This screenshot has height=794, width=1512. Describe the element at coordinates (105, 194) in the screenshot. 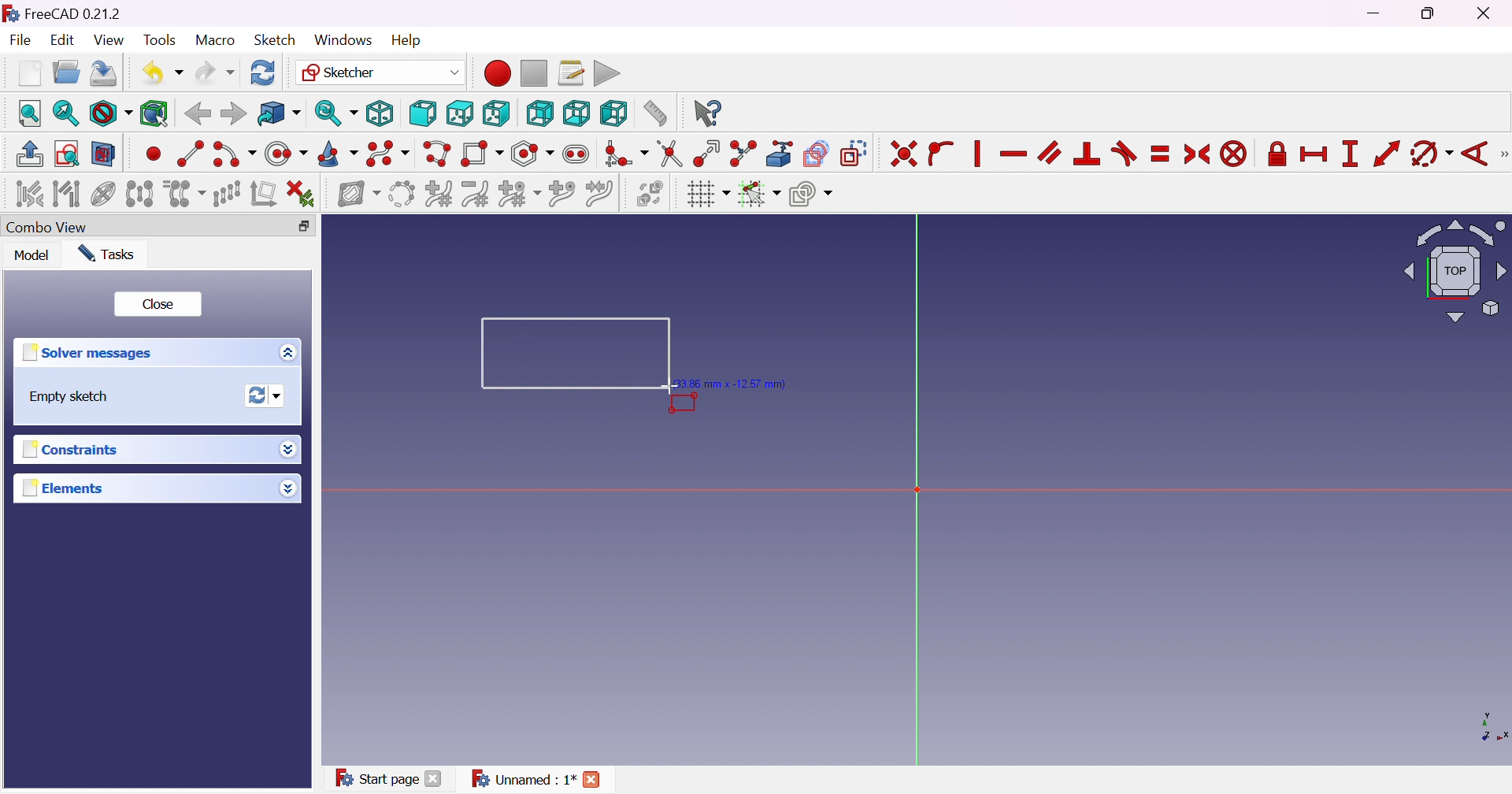

I see `Show/hide internal geometry` at that location.